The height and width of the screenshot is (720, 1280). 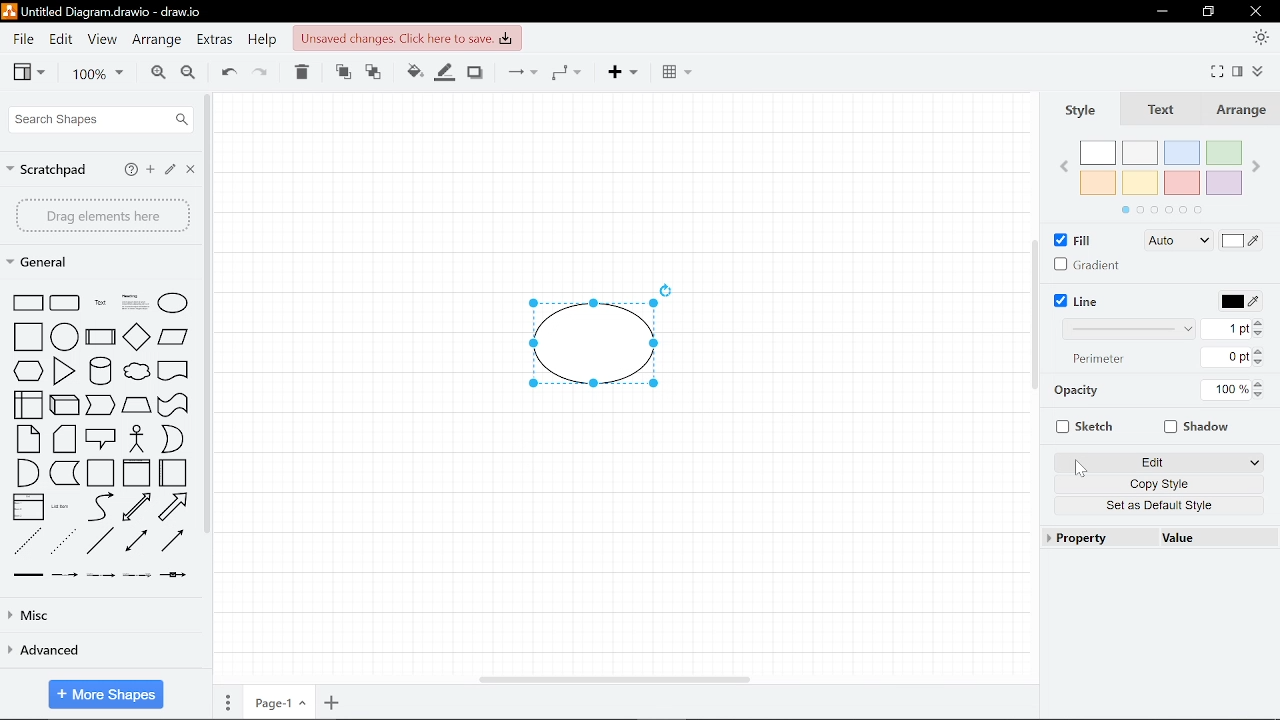 What do you see at coordinates (1260, 363) in the screenshot?
I see `Decrease perimeter` at bounding box center [1260, 363].